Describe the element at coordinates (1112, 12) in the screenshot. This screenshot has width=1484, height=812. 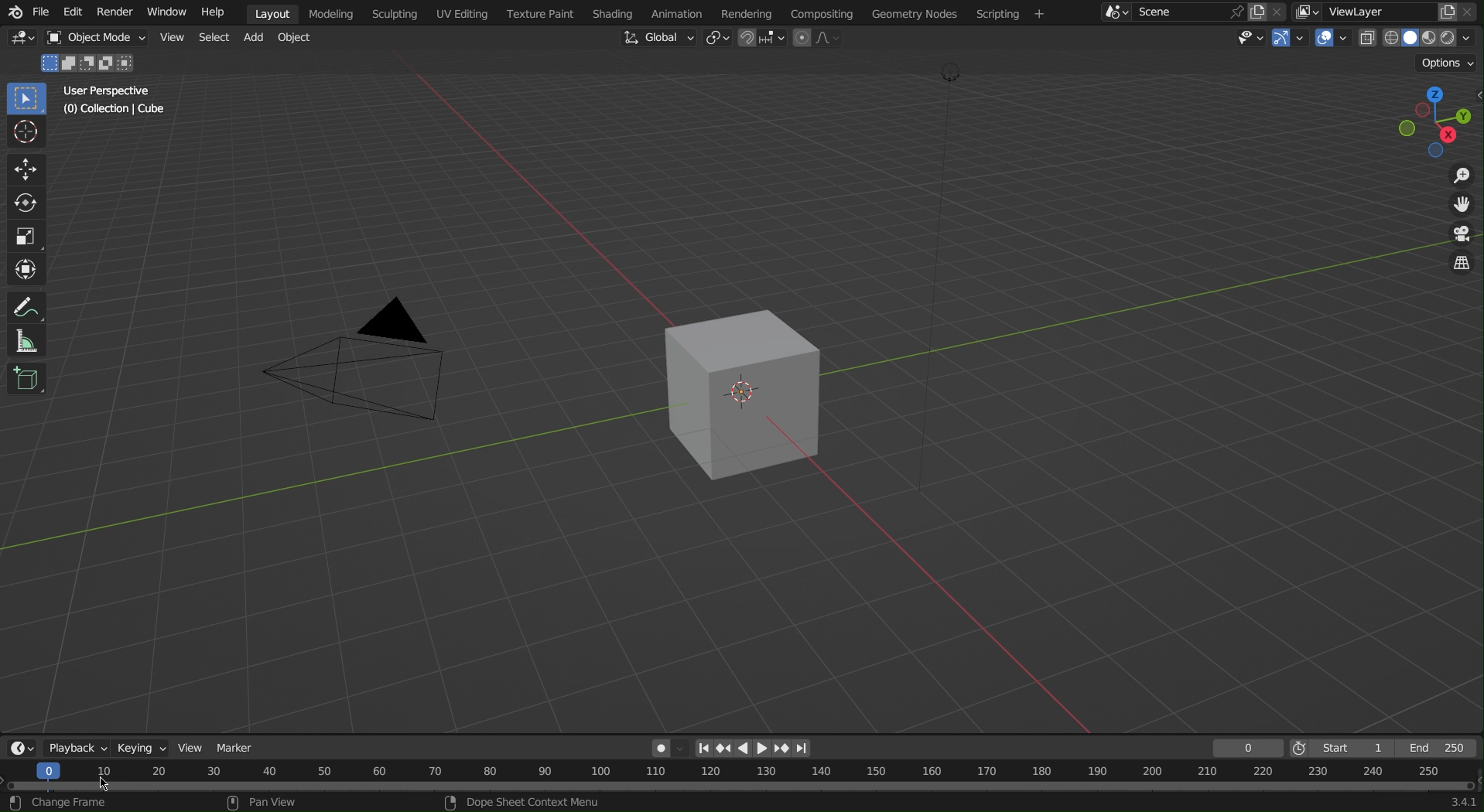
I see `More Scene` at that location.